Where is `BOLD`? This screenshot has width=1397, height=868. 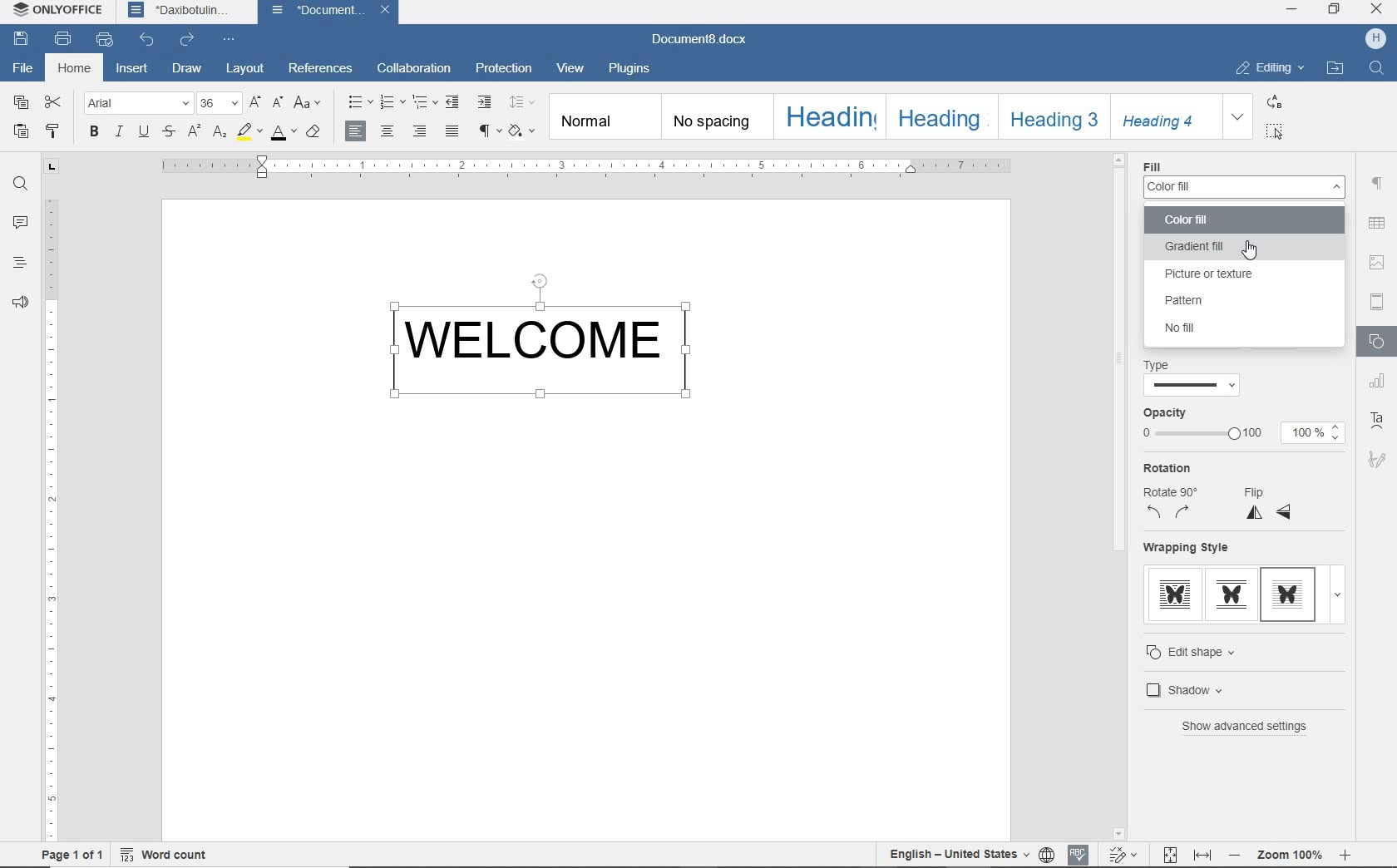 BOLD is located at coordinates (94, 131).